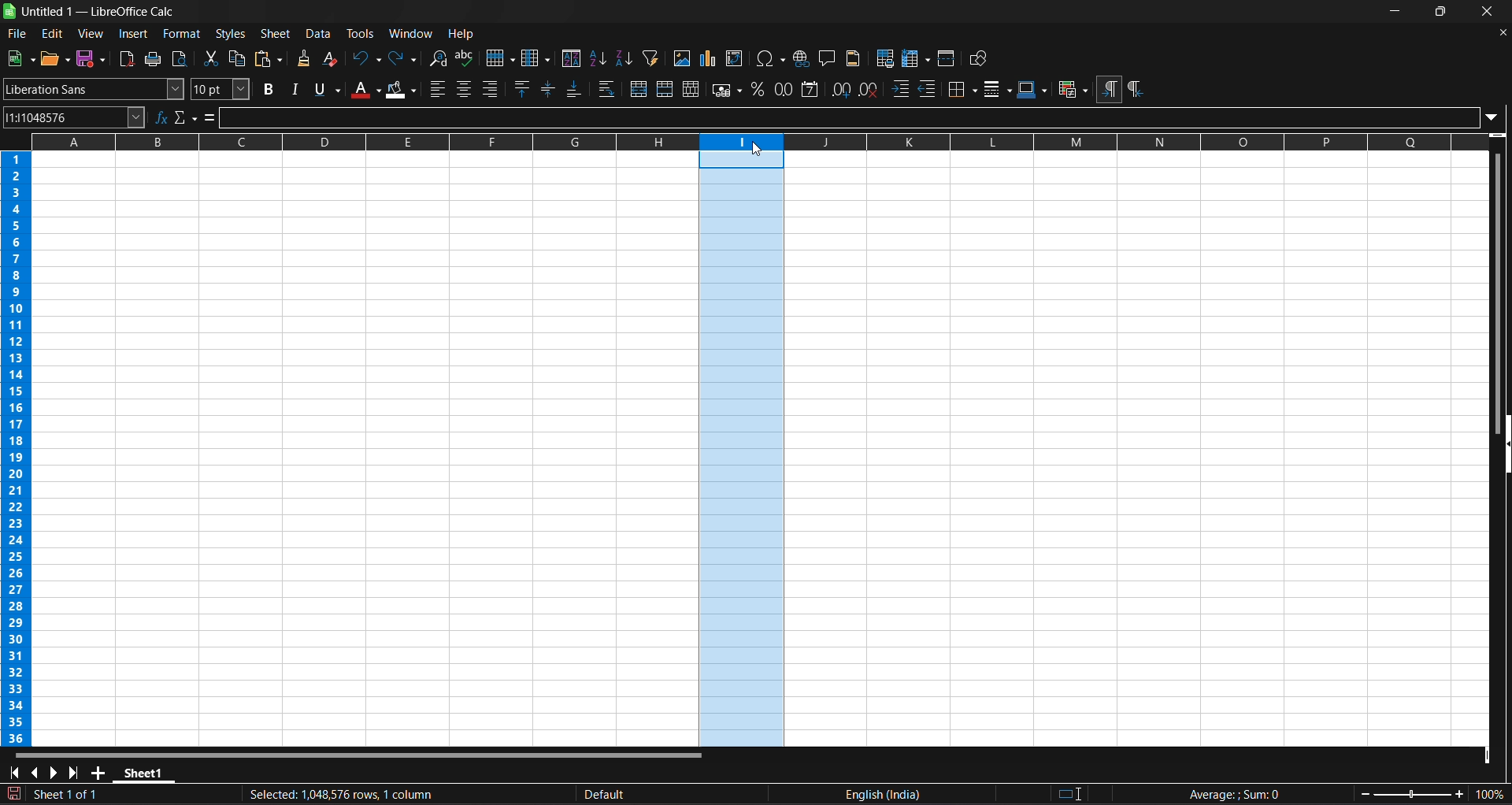 The width and height of the screenshot is (1512, 805). I want to click on formula, so click(1230, 794).